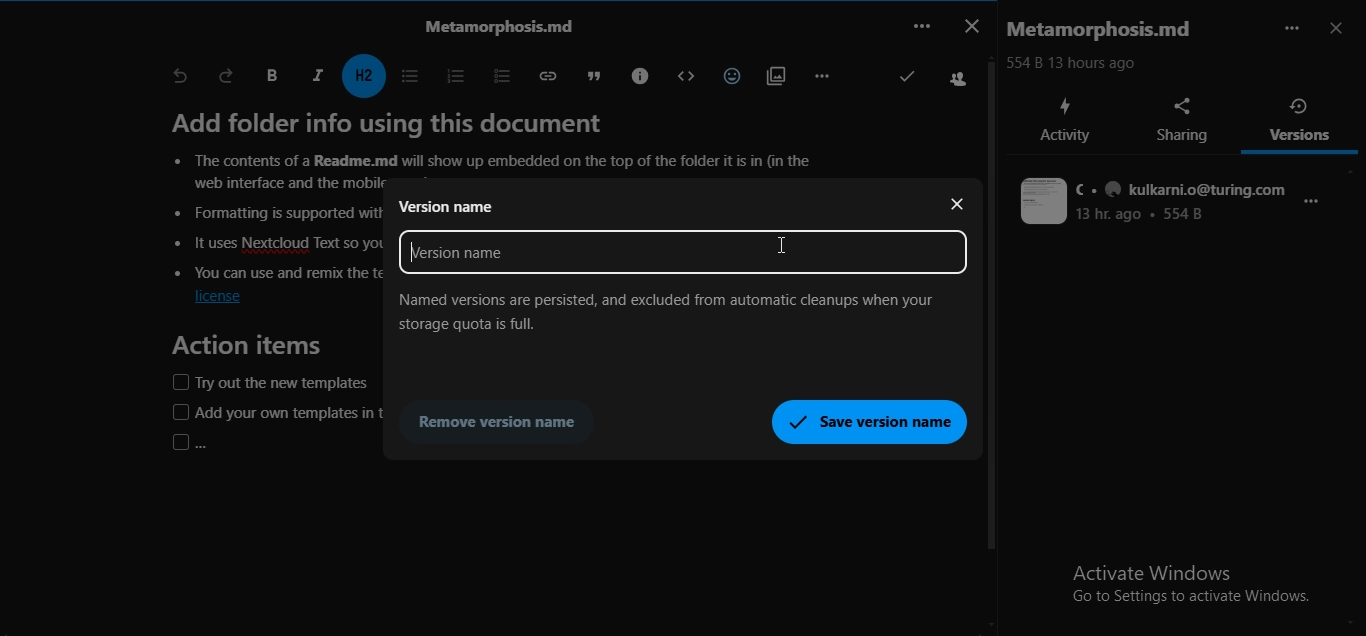 The height and width of the screenshot is (636, 1366). Describe the element at coordinates (1065, 120) in the screenshot. I see `activity` at that location.